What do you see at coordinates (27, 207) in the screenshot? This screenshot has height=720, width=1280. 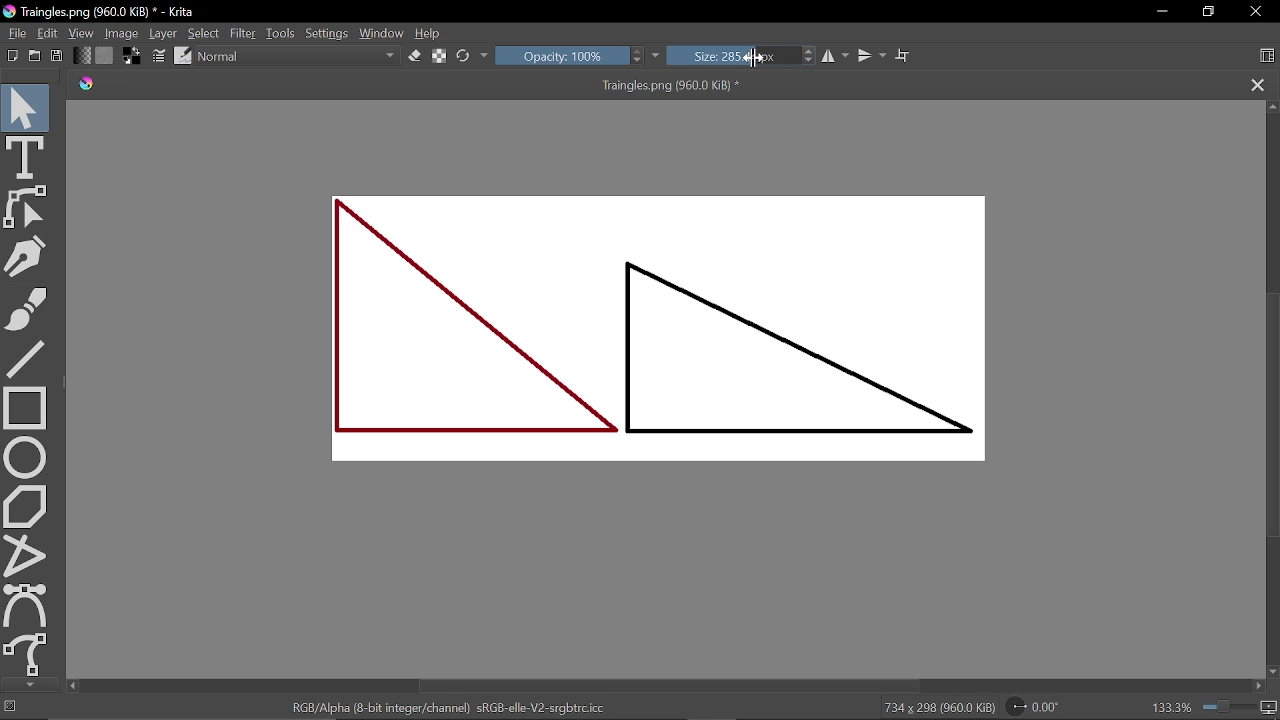 I see `Edit shapes tool` at bounding box center [27, 207].